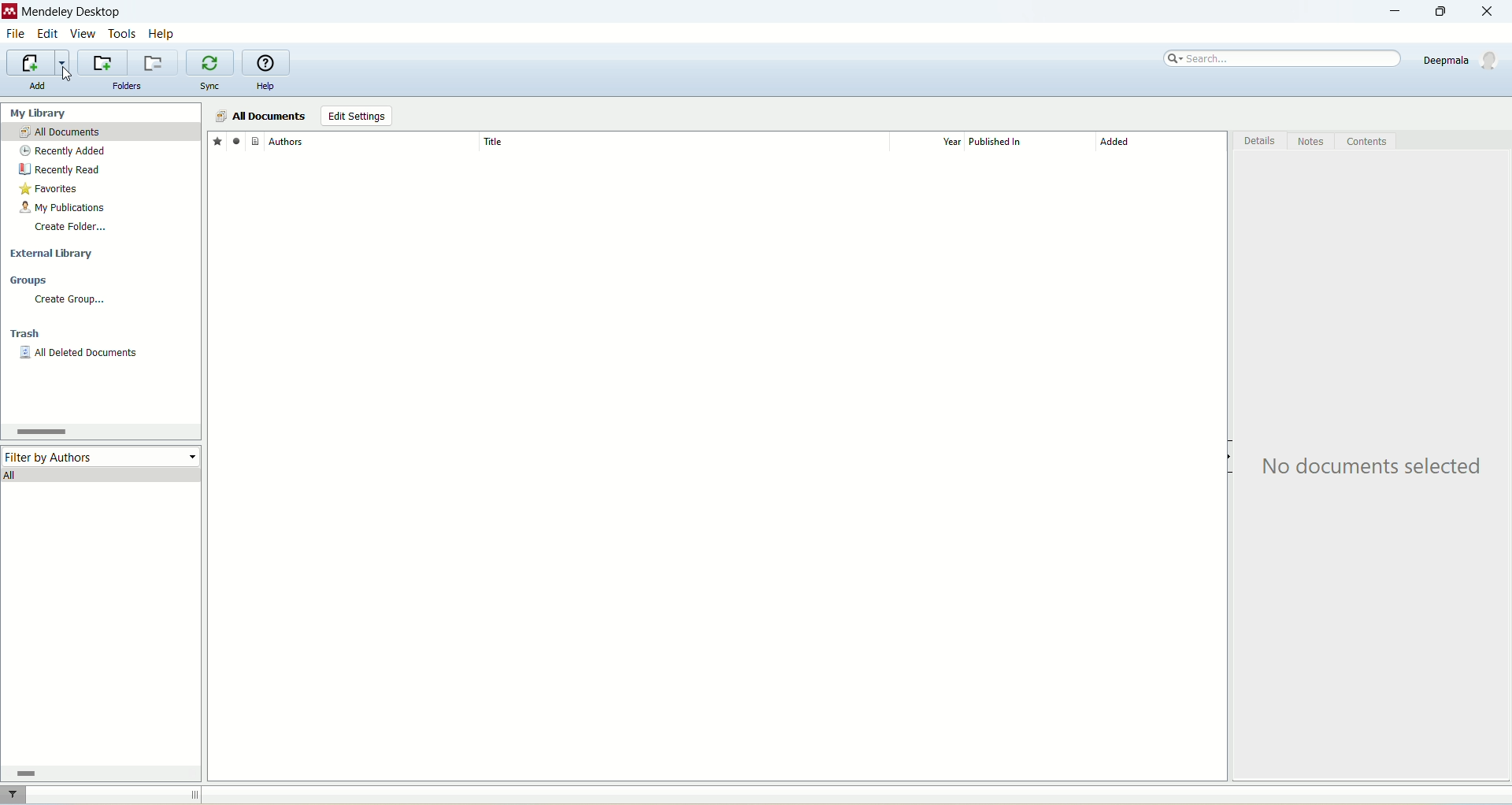  I want to click on all deleted, so click(80, 354).